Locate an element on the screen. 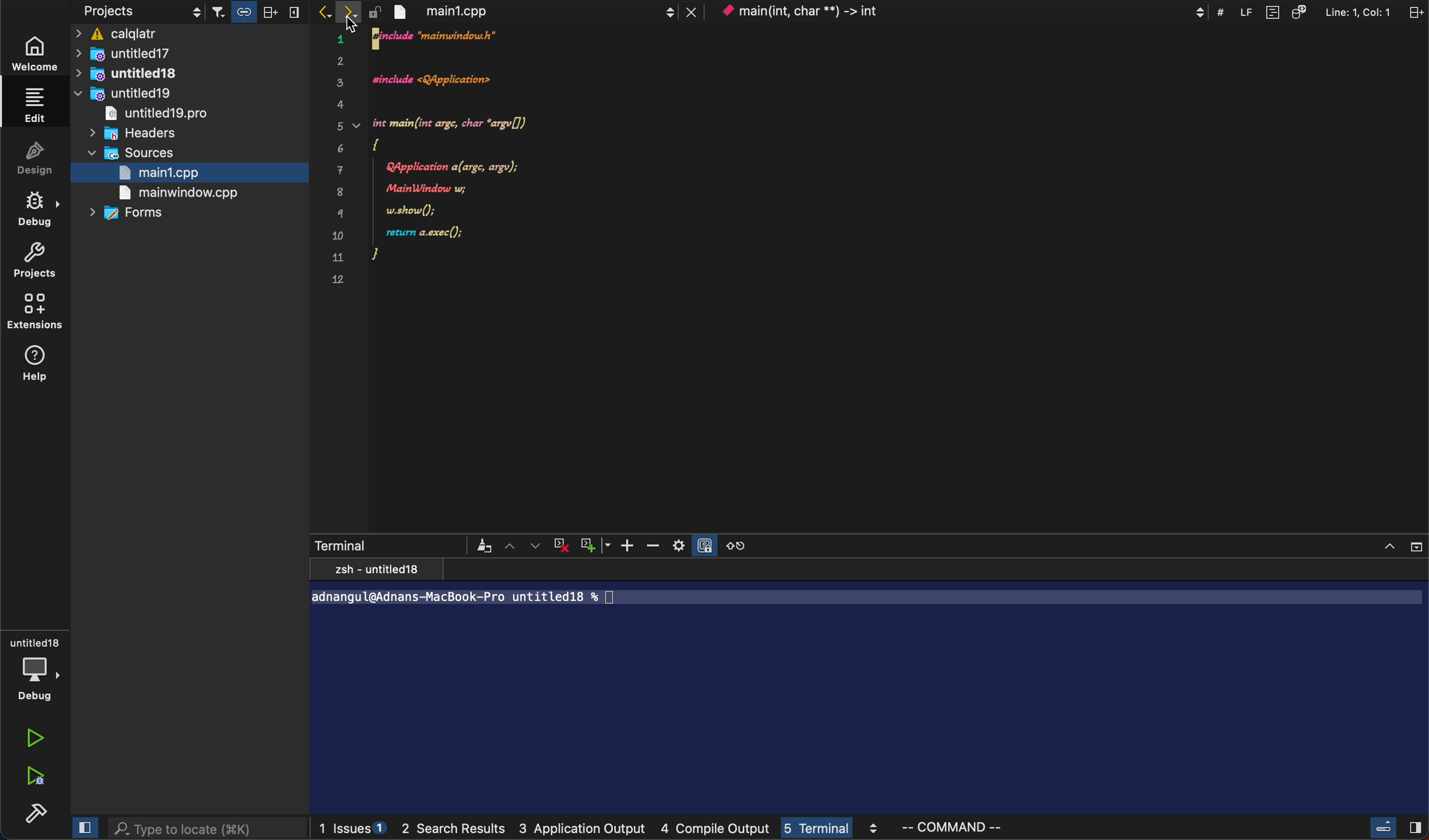  Setting is located at coordinates (679, 546).